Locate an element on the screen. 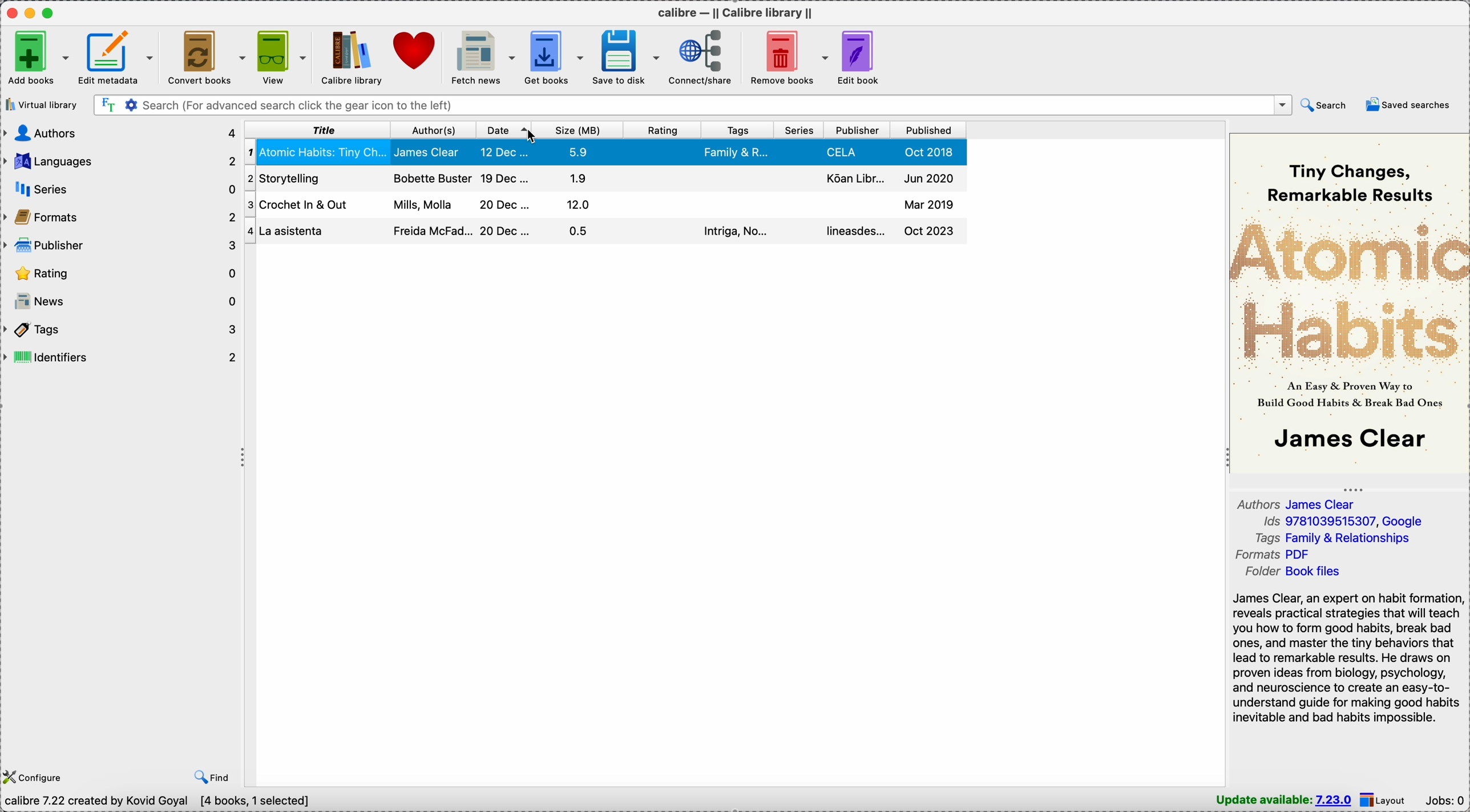  formats is located at coordinates (122, 219).